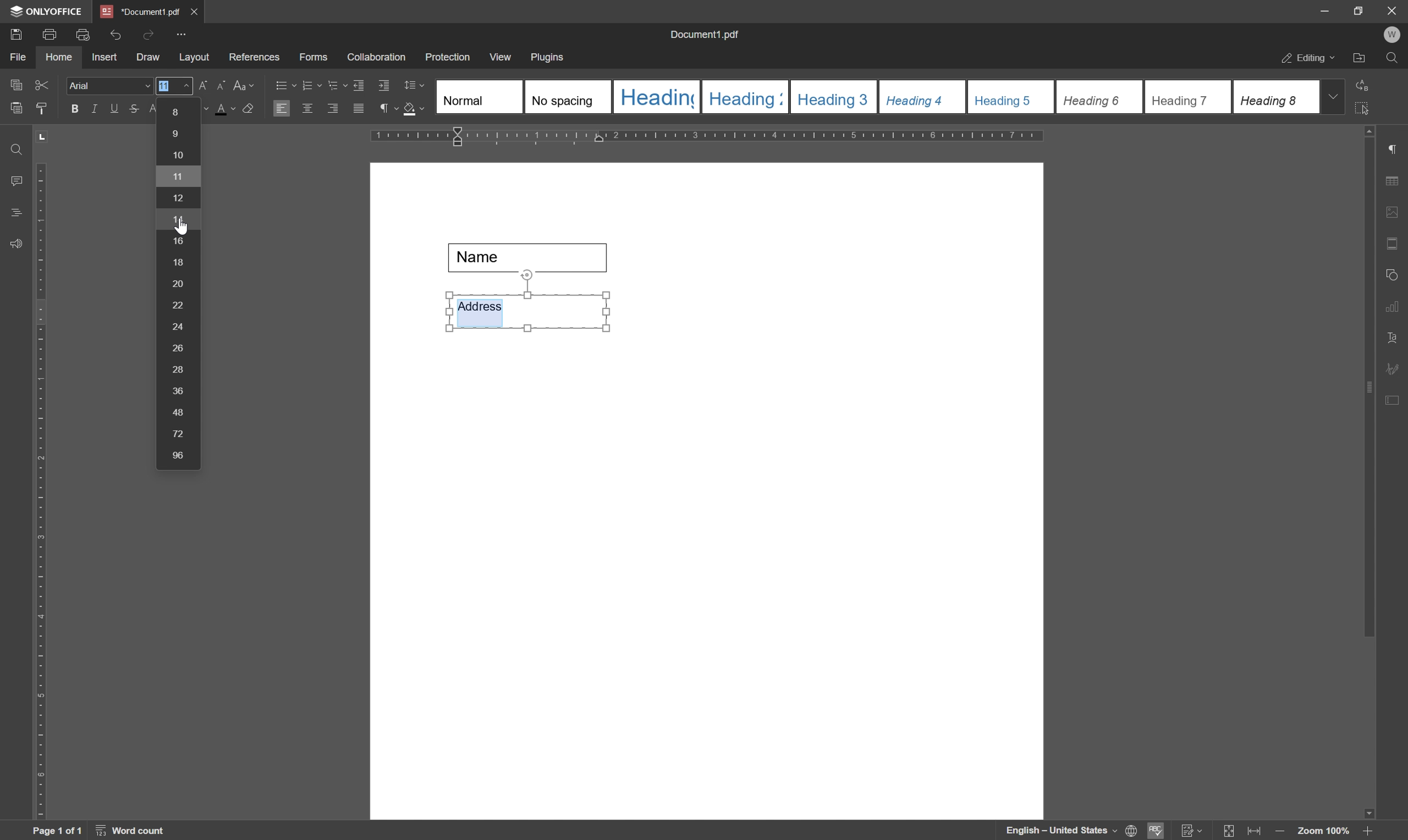  What do you see at coordinates (336, 85) in the screenshot?
I see `multilevel list` at bounding box center [336, 85].